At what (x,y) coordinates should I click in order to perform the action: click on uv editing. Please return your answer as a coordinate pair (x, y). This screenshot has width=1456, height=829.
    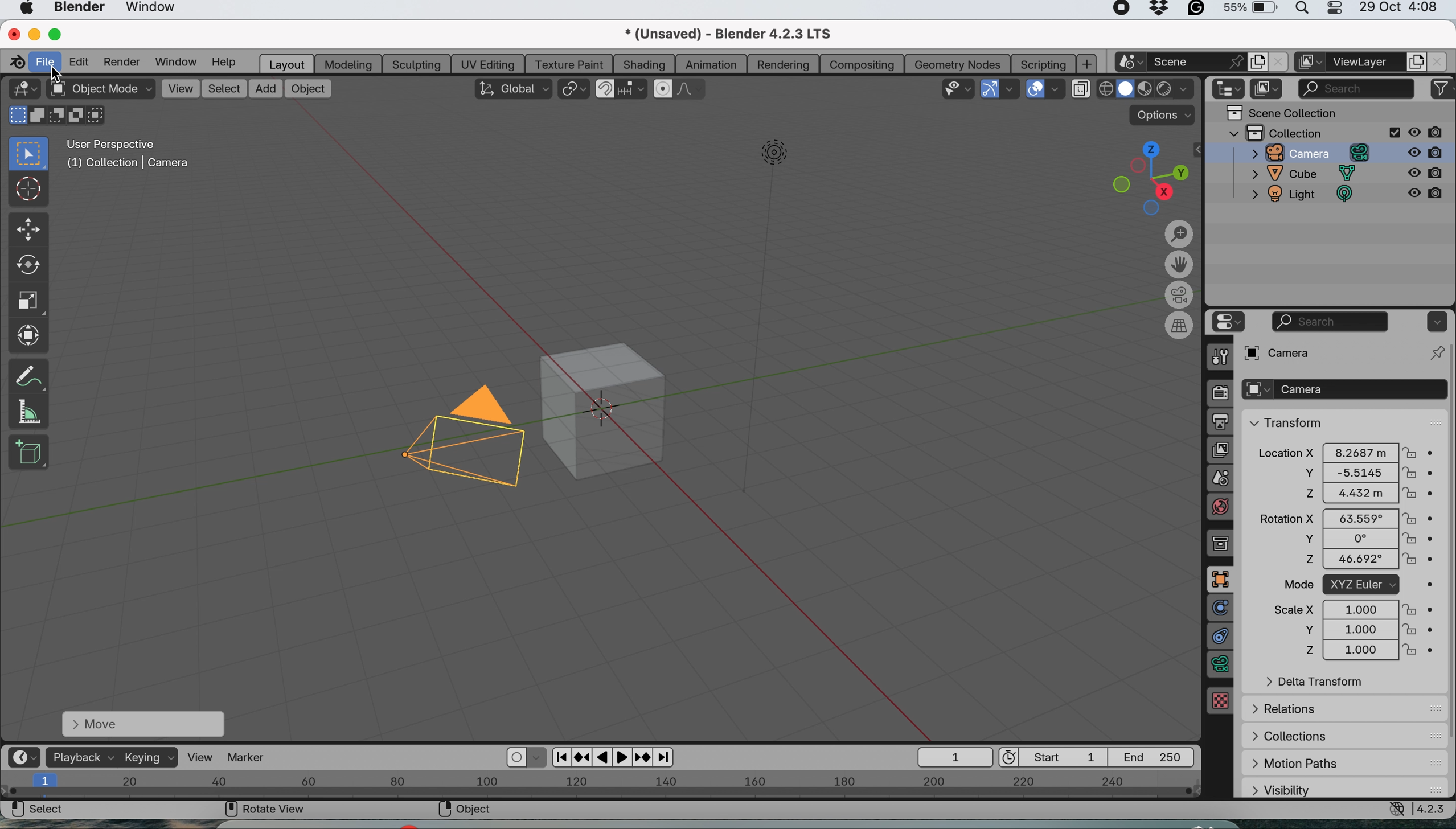
    Looking at the image, I should click on (491, 63).